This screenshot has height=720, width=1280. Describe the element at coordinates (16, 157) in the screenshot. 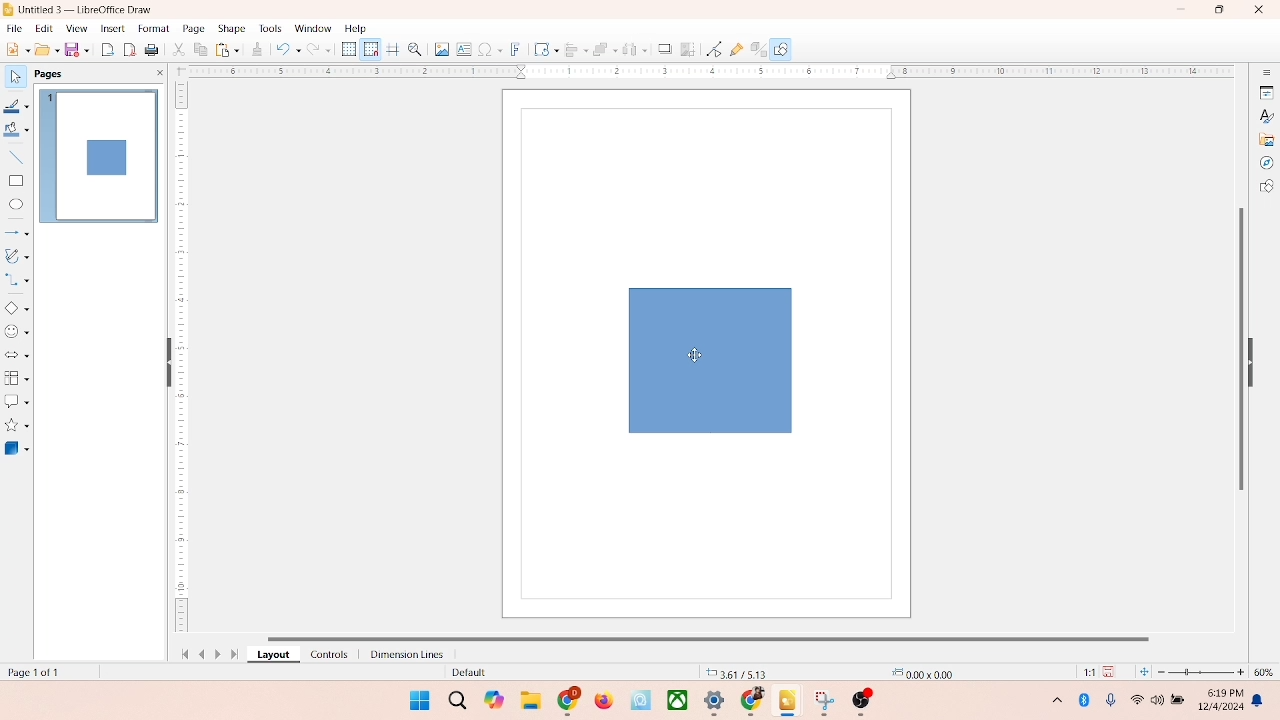

I see `insert line` at that location.